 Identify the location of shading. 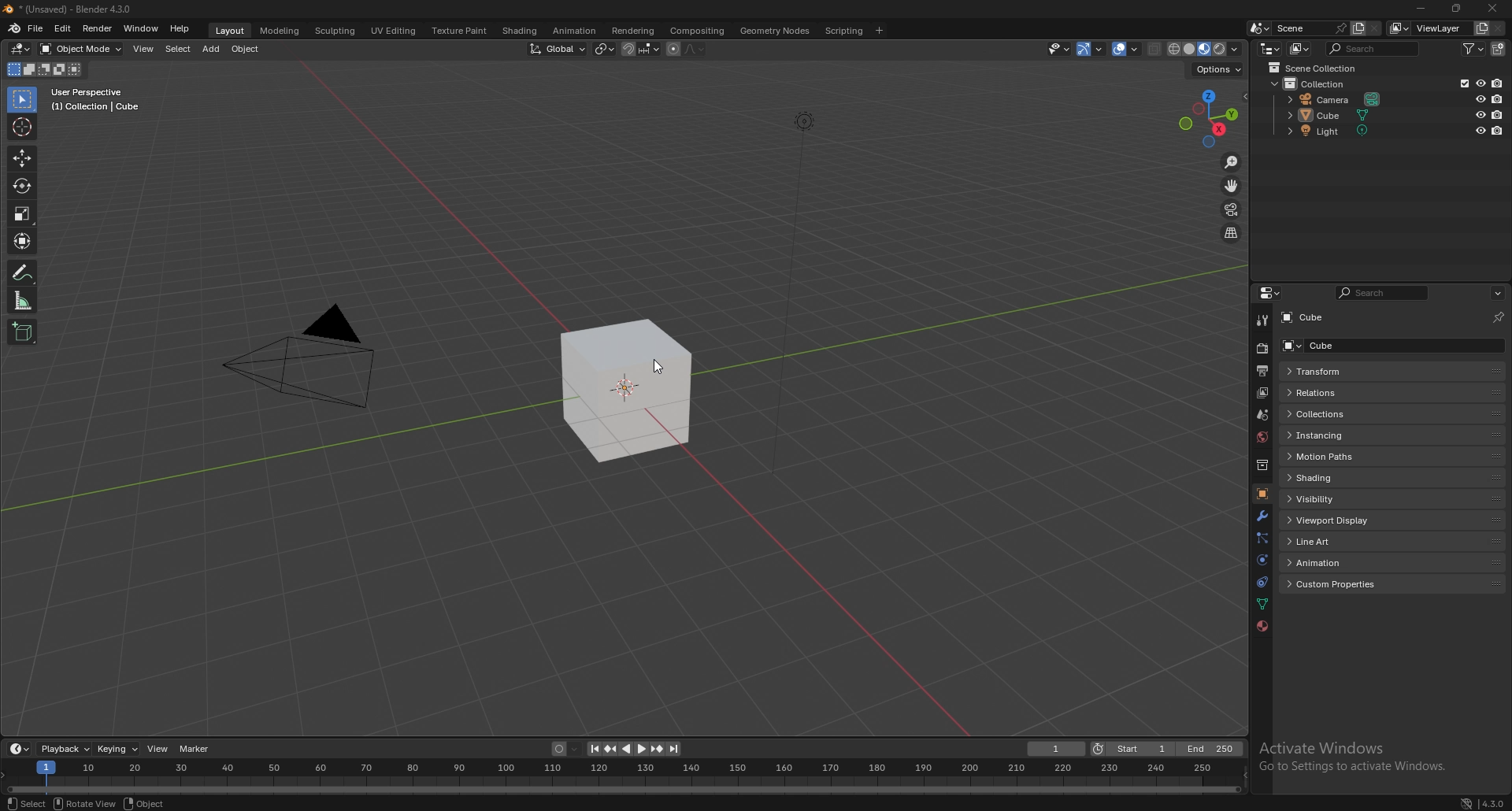
(1334, 478).